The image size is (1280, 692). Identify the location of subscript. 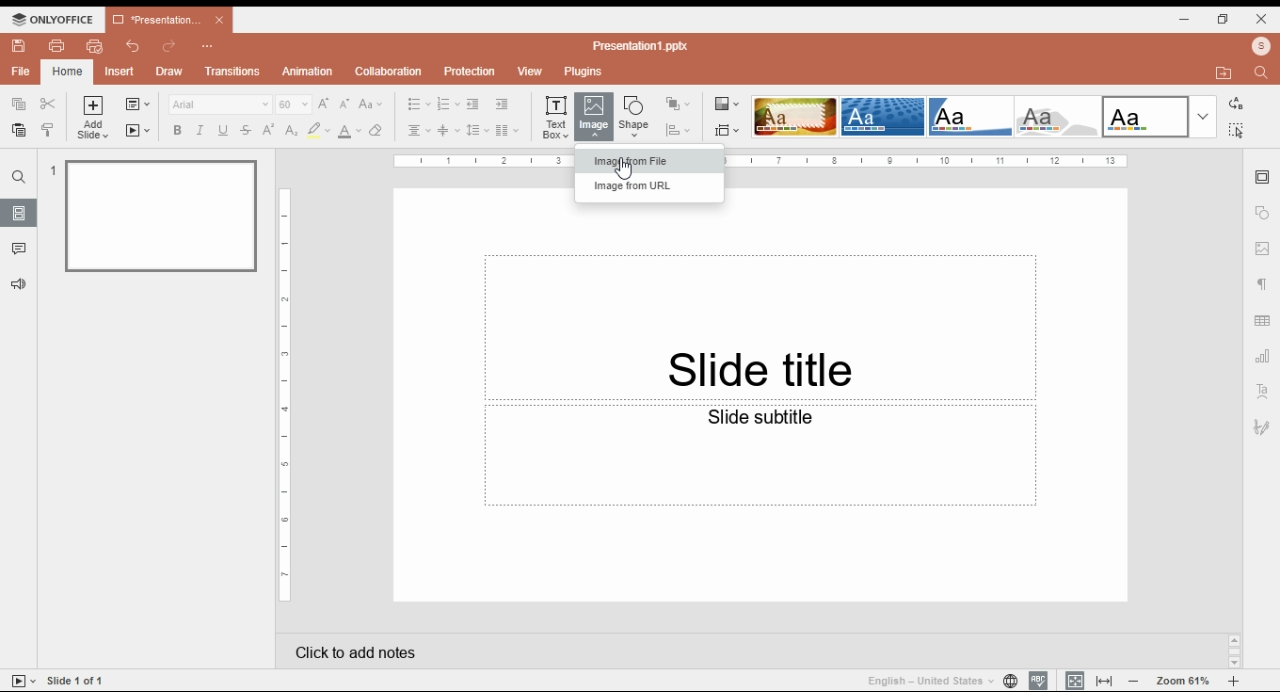
(291, 131).